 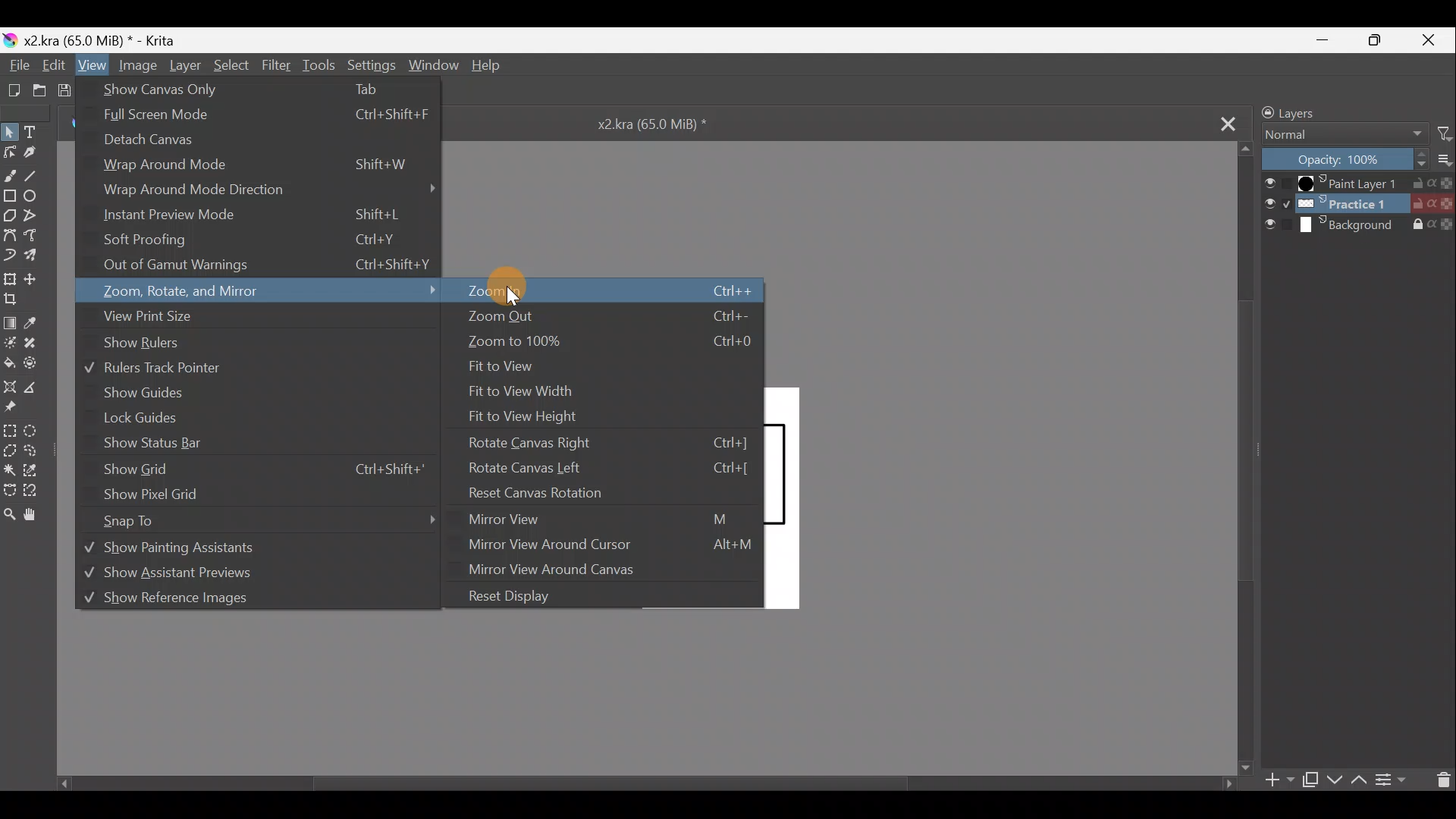 What do you see at coordinates (507, 597) in the screenshot?
I see `Reset display` at bounding box center [507, 597].